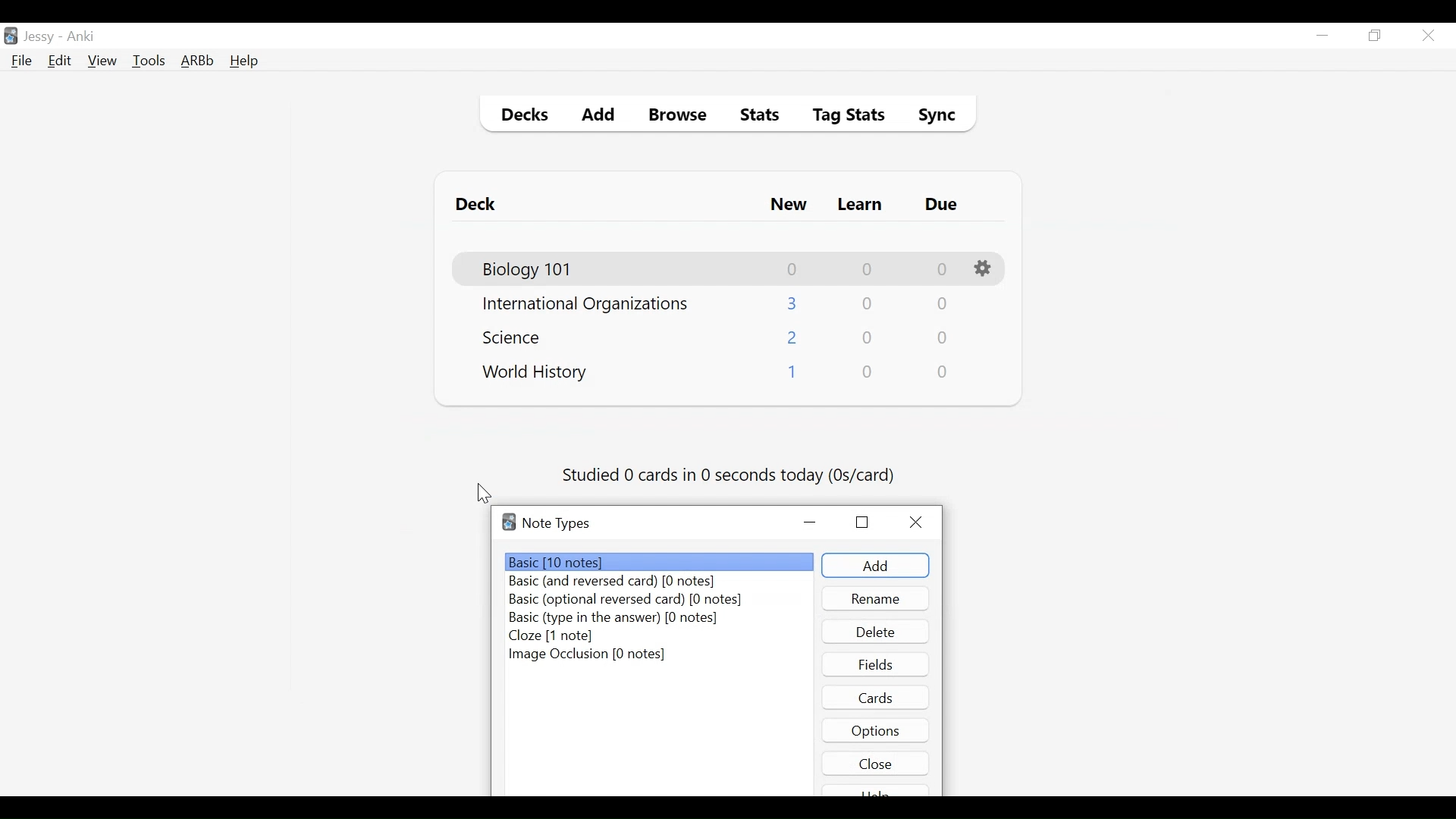 This screenshot has height=819, width=1456. Describe the element at coordinates (877, 697) in the screenshot. I see `Cards` at that location.